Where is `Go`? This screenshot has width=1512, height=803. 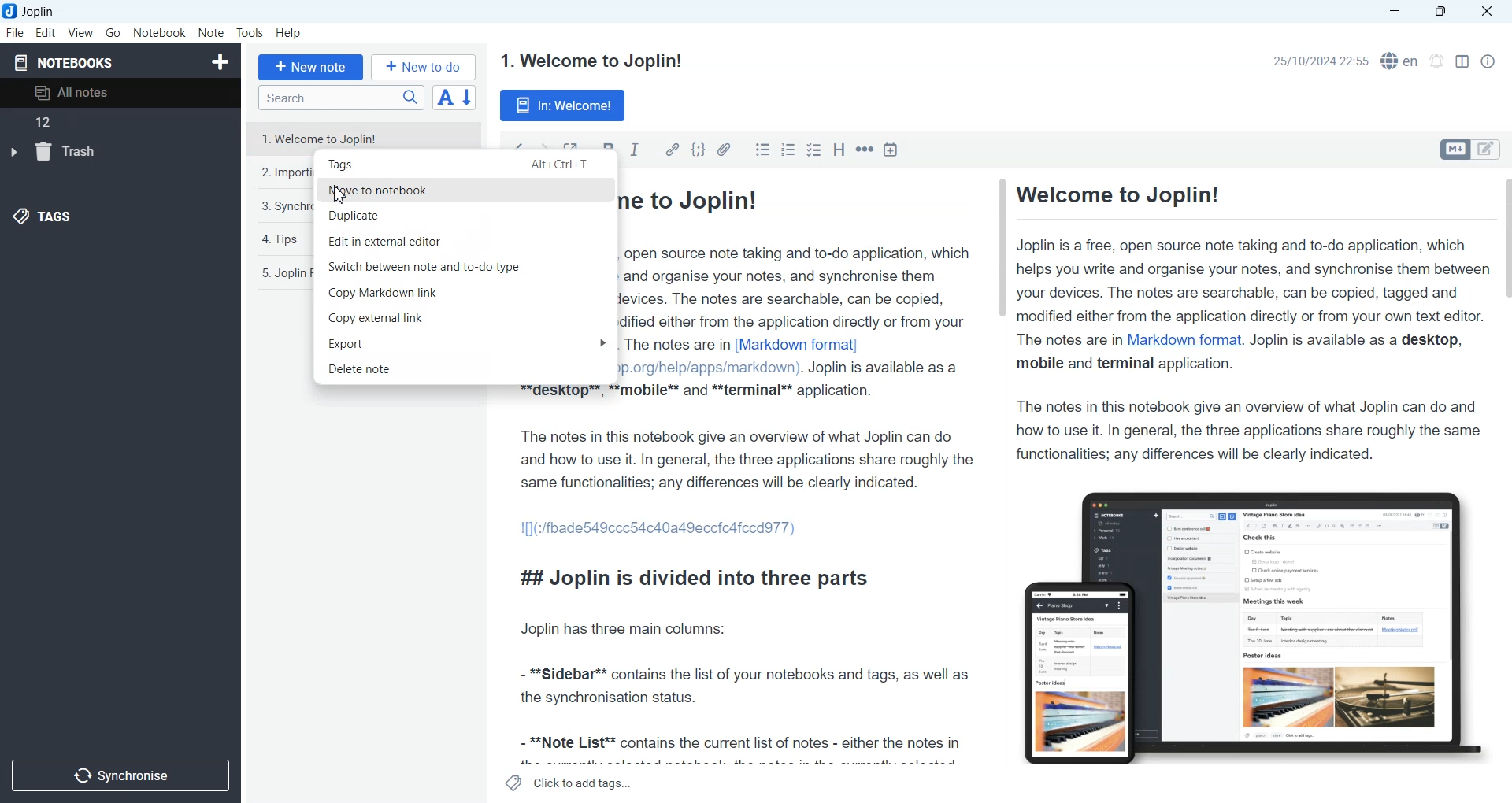 Go is located at coordinates (114, 32).